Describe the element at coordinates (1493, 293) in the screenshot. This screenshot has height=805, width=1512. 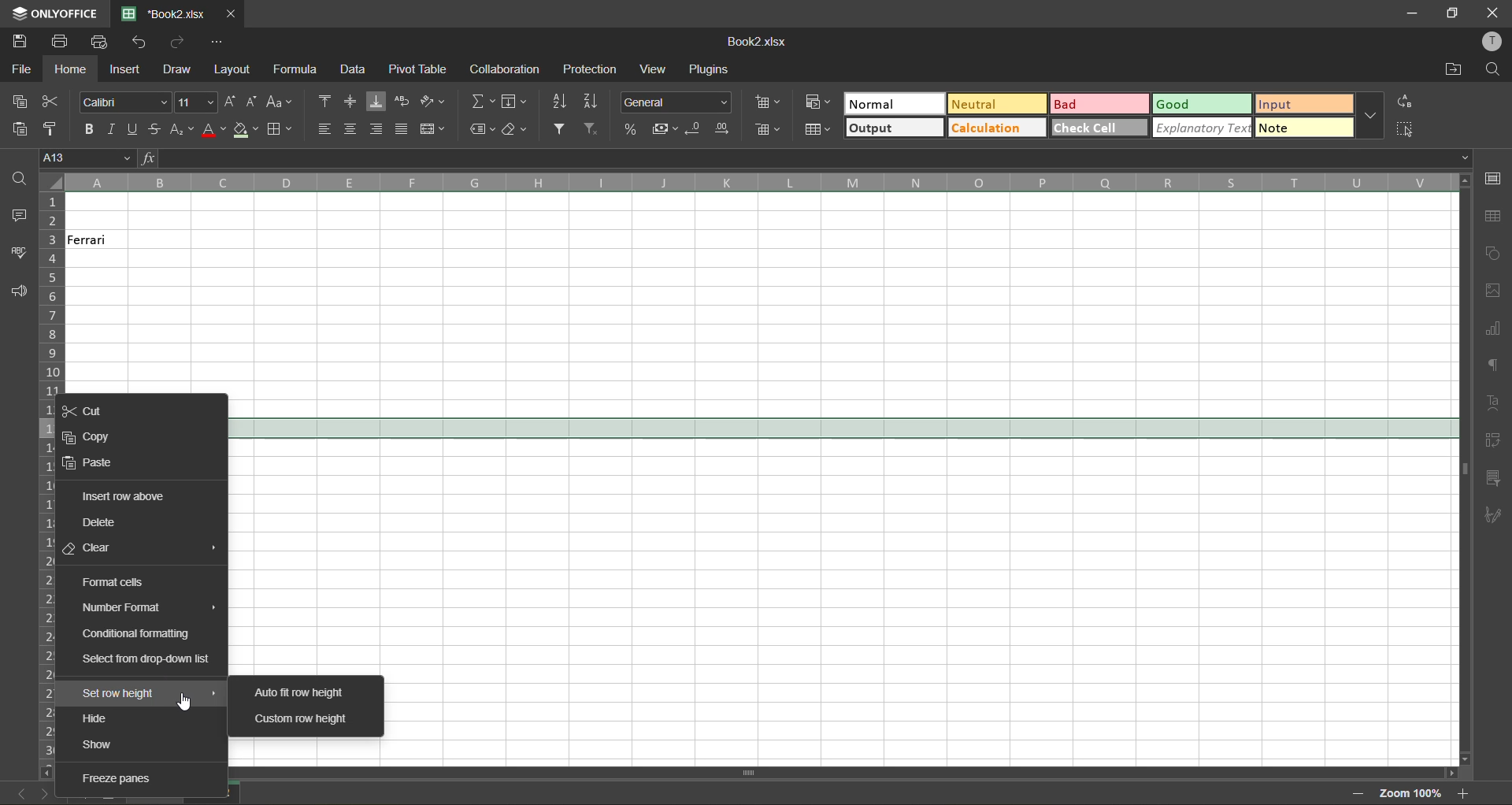
I see `images` at that location.